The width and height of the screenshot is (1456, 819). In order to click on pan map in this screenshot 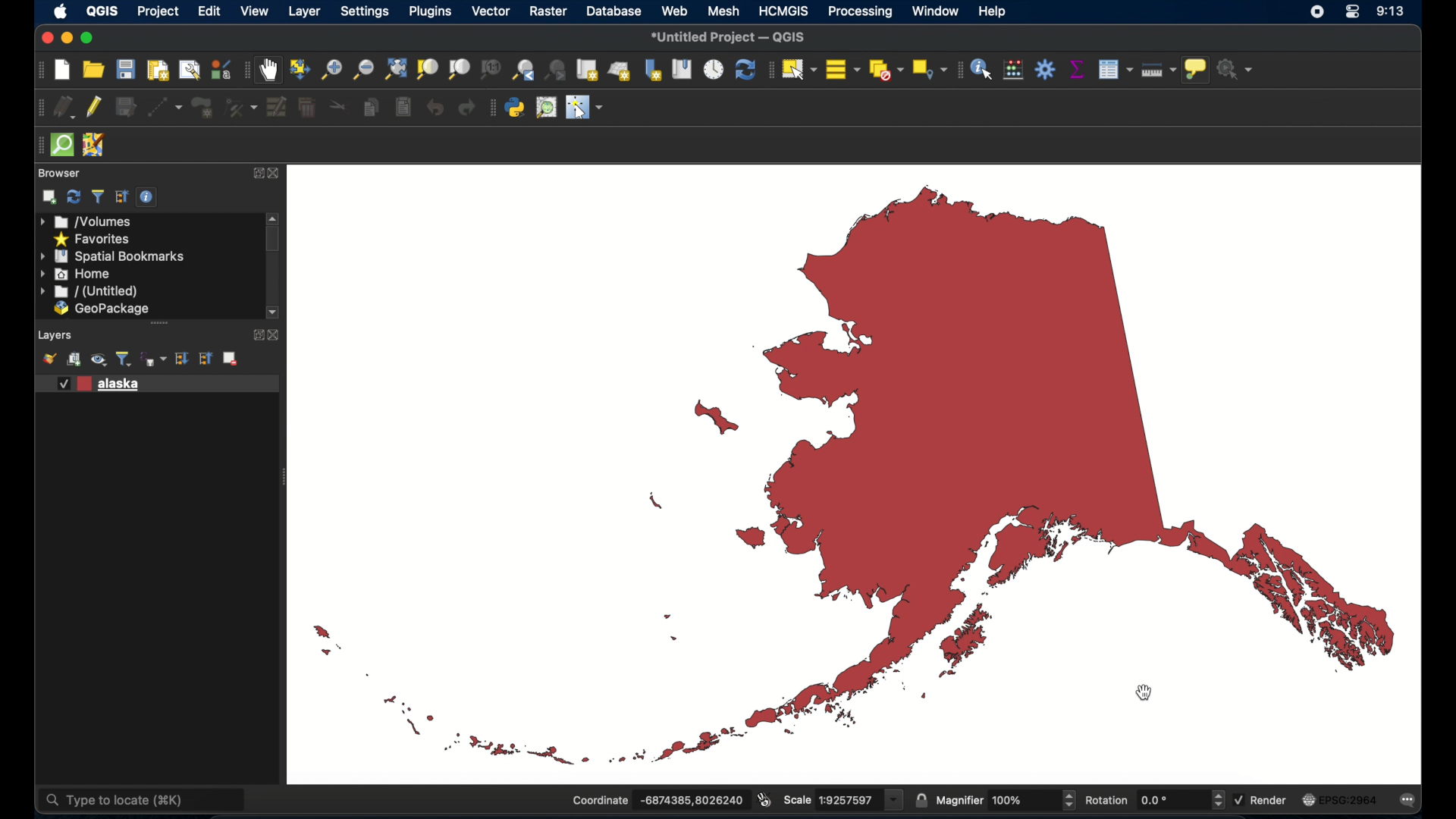, I will do `click(270, 71)`.